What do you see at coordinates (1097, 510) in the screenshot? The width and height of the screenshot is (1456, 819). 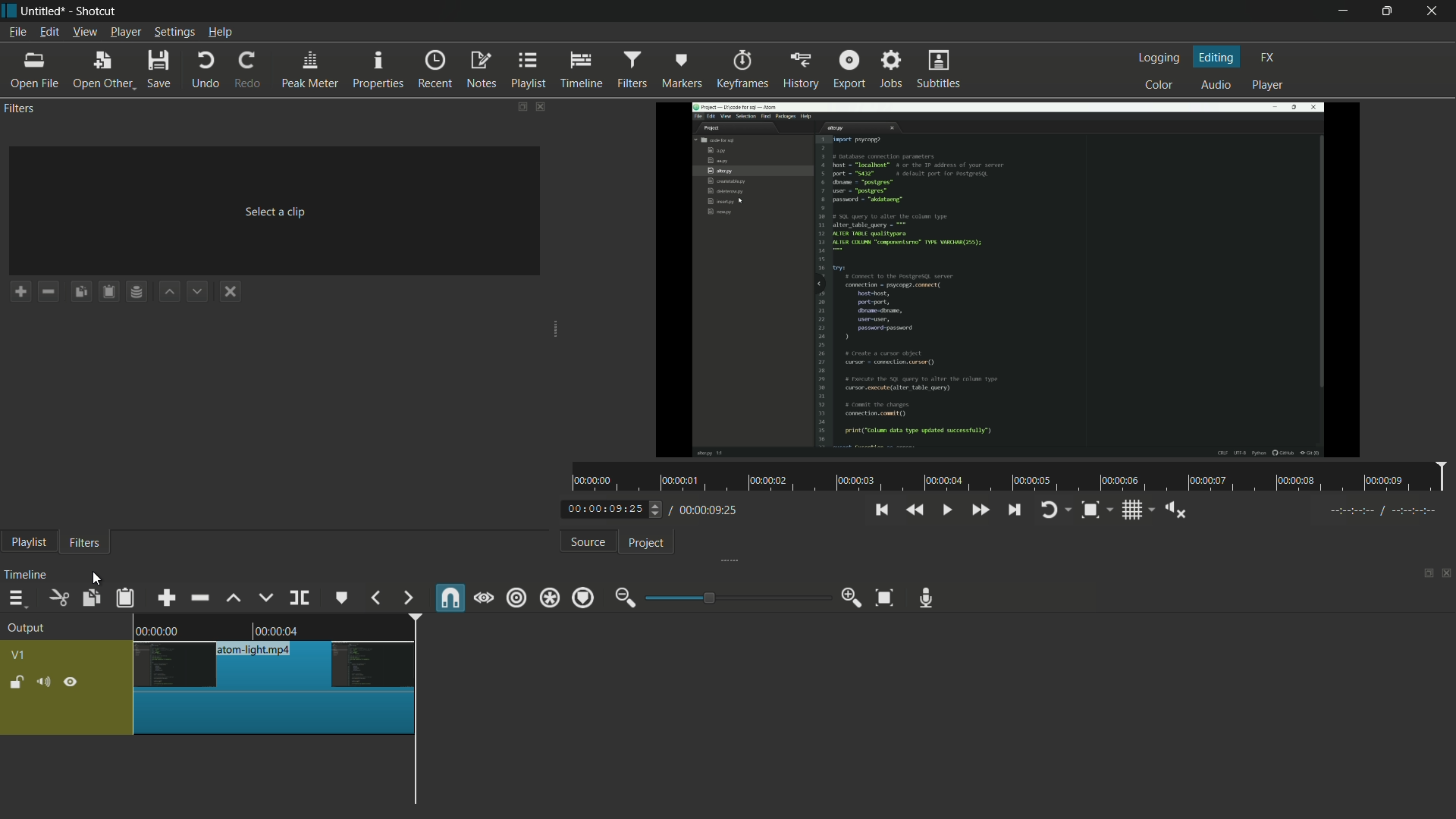 I see `zoom timeline to fit` at bounding box center [1097, 510].